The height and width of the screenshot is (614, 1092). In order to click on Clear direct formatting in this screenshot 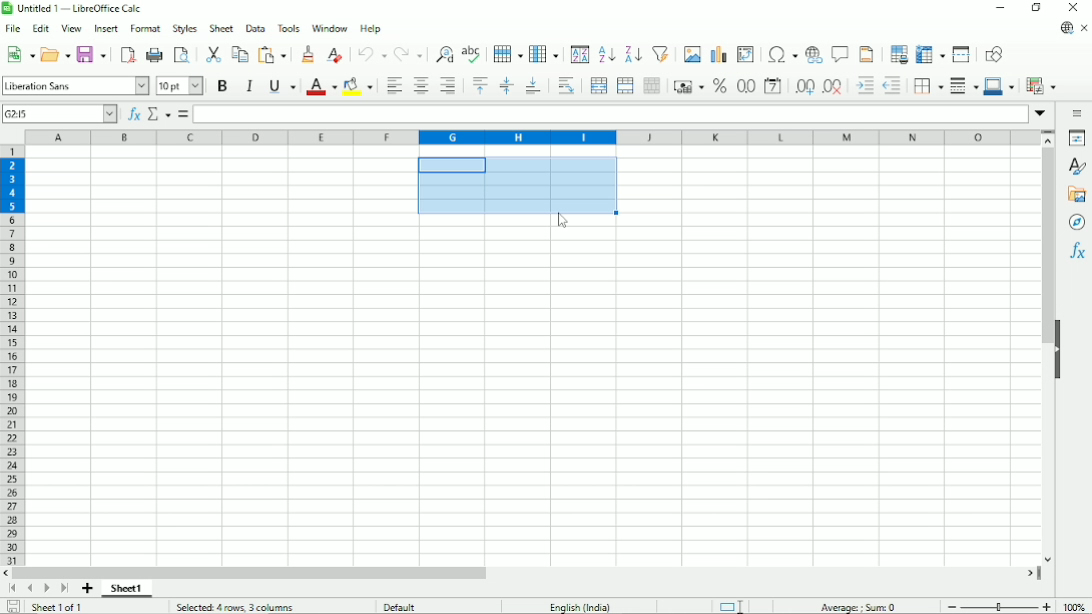, I will do `click(335, 56)`.